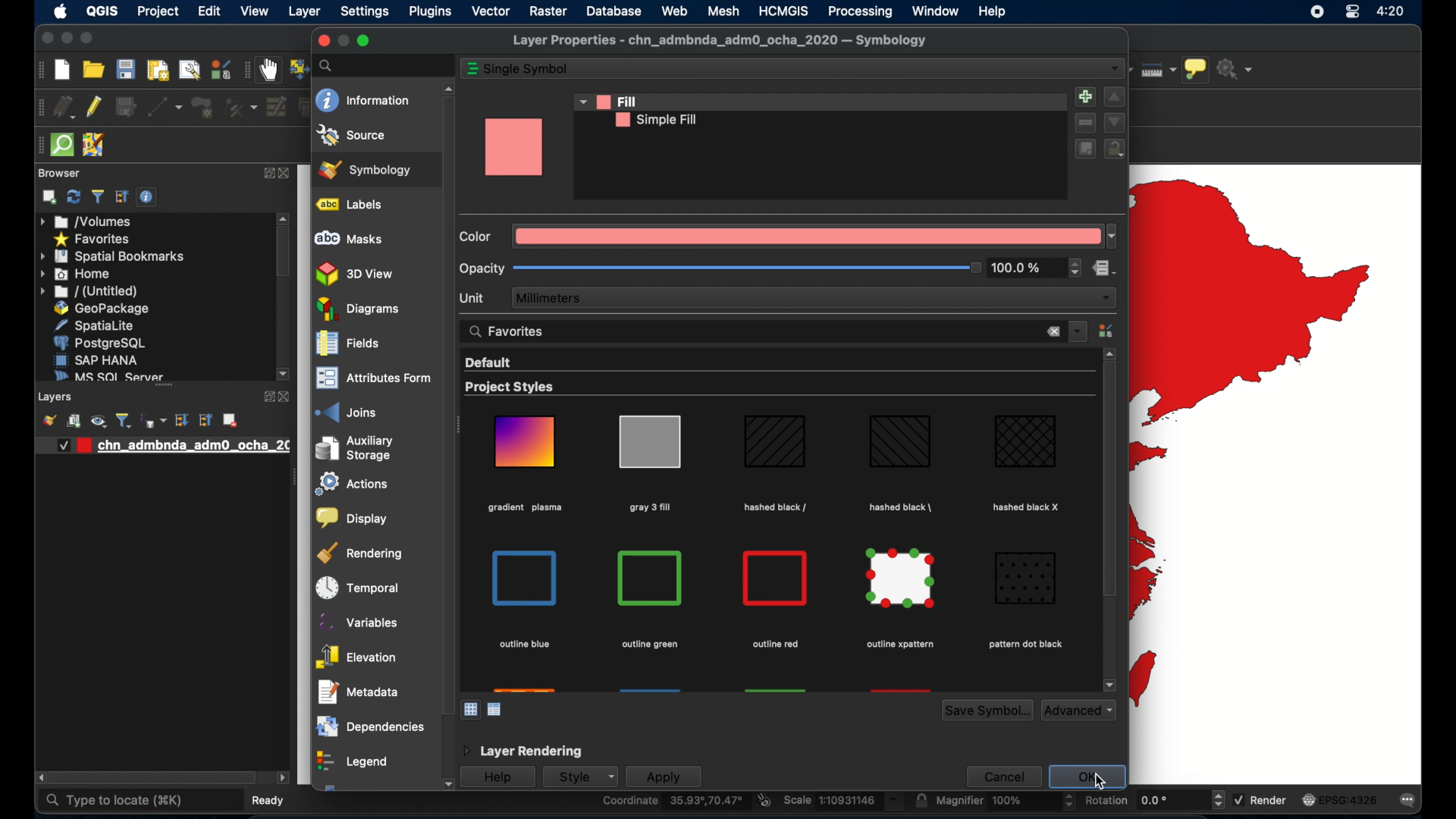 The width and height of the screenshot is (1456, 819). What do you see at coordinates (937, 11) in the screenshot?
I see `window` at bounding box center [937, 11].